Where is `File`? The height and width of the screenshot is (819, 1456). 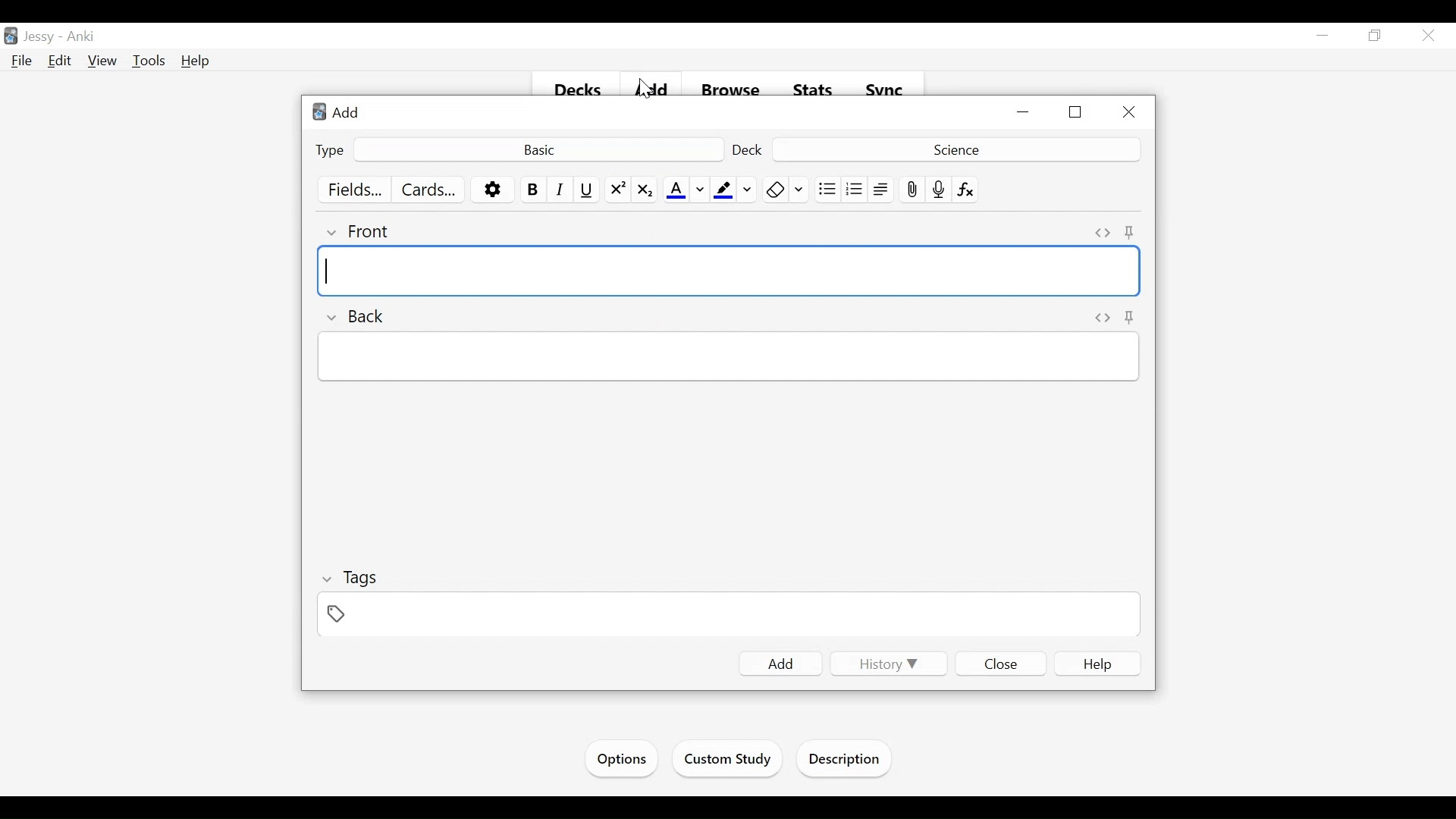
File is located at coordinates (22, 61).